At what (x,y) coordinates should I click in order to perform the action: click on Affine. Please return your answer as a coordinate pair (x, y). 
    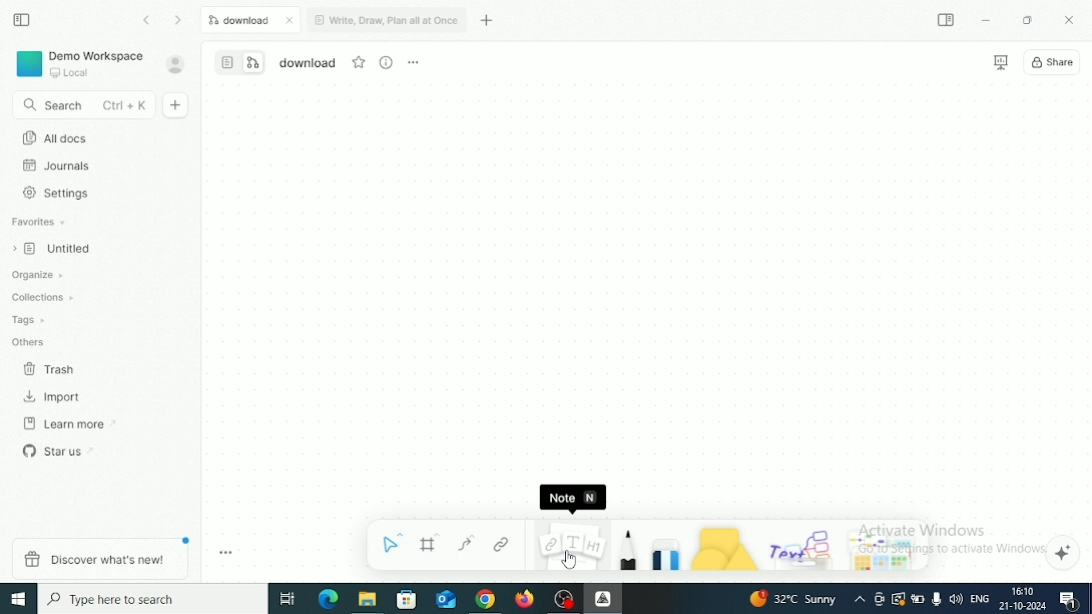
    Looking at the image, I should click on (603, 598).